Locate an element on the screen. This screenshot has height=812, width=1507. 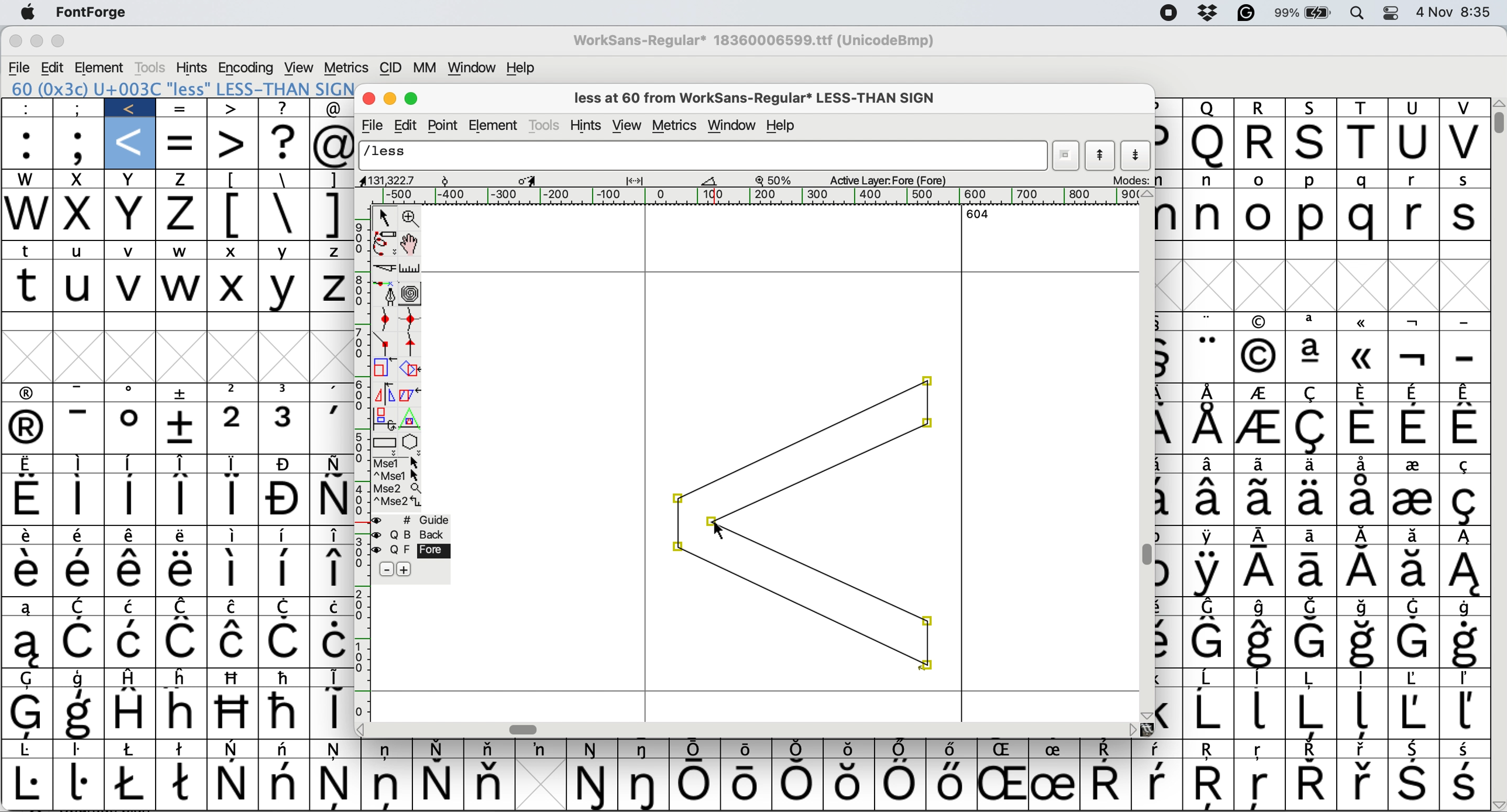
= is located at coordinates (183, 142).